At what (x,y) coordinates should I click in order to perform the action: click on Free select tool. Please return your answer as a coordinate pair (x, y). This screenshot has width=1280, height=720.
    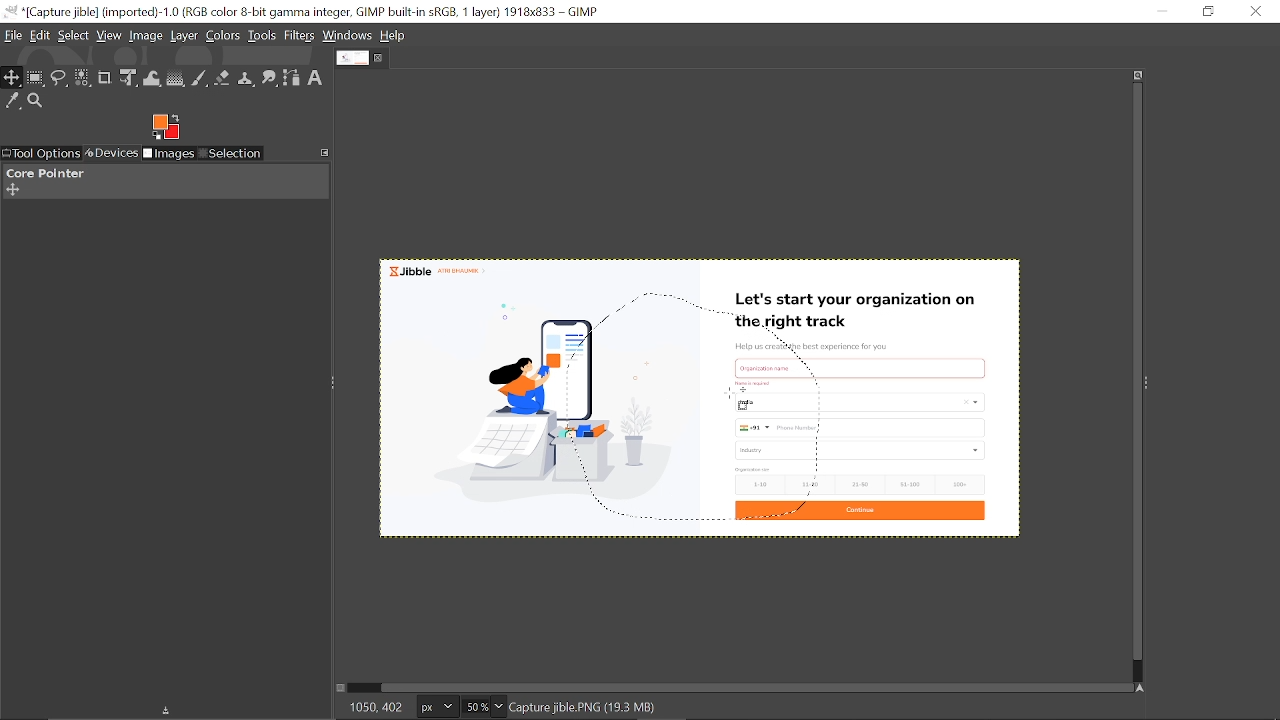
    Looking at the image, I should click on (60, 79).